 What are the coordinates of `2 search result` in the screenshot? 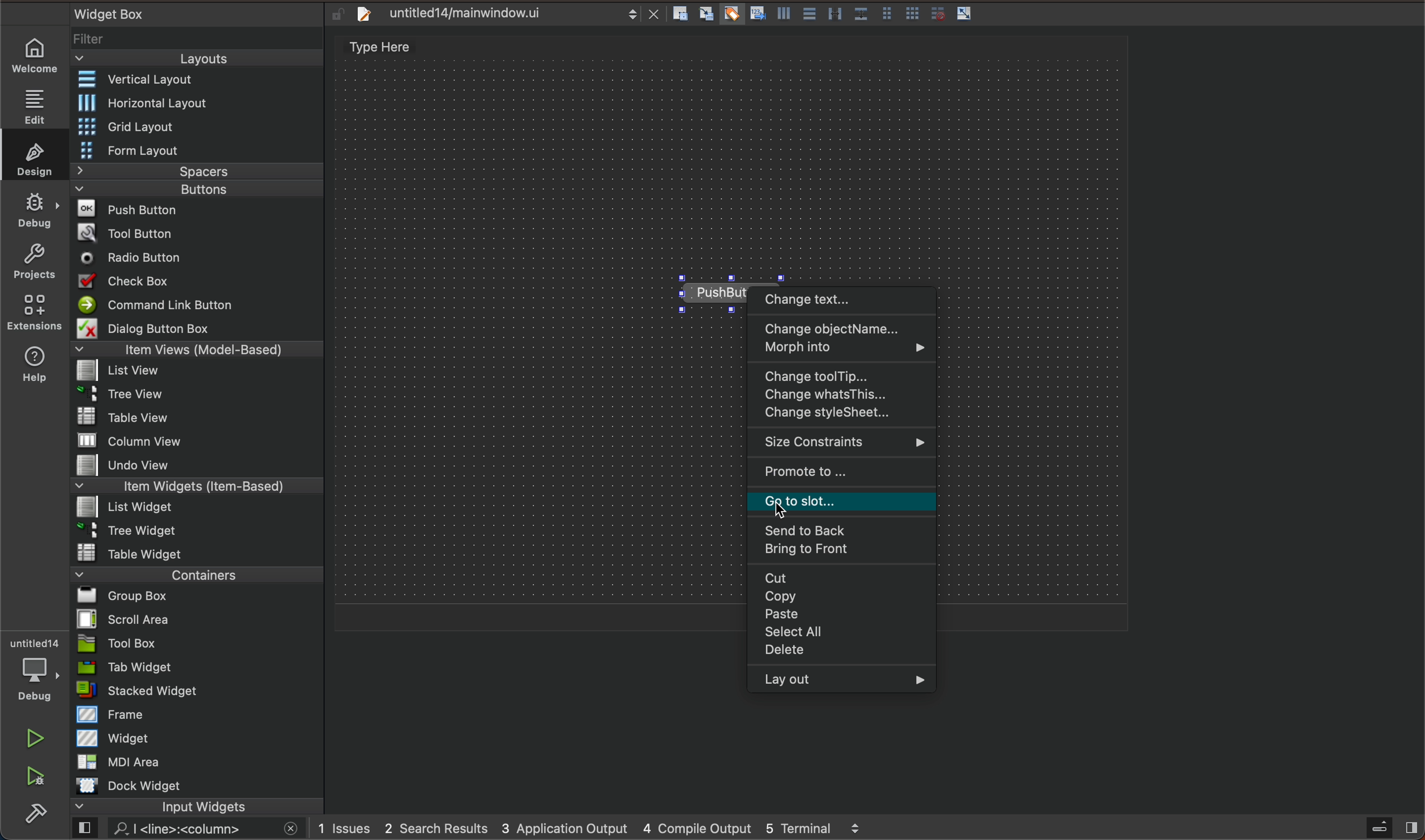 It's located at (438, 829).